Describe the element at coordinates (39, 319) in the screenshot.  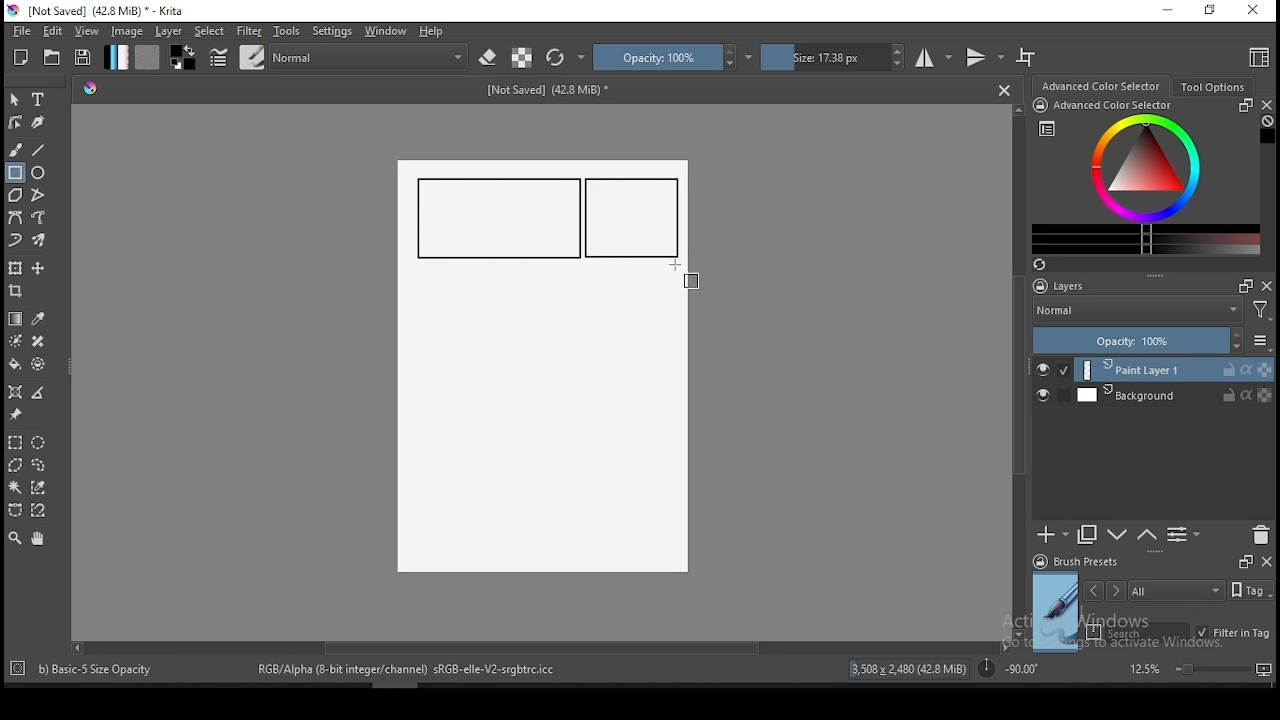
I see `pick a color from image and current layer` at that location.